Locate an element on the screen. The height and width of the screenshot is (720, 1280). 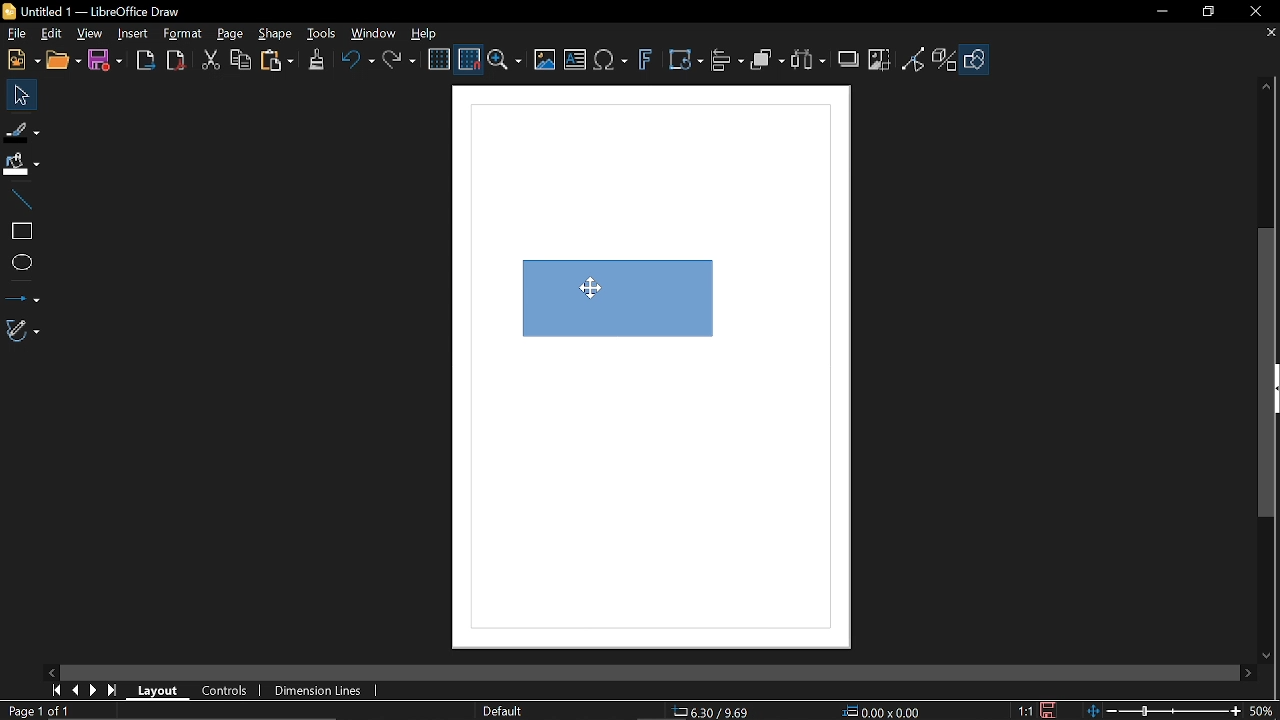
Line is located at coordinates (18, 200).